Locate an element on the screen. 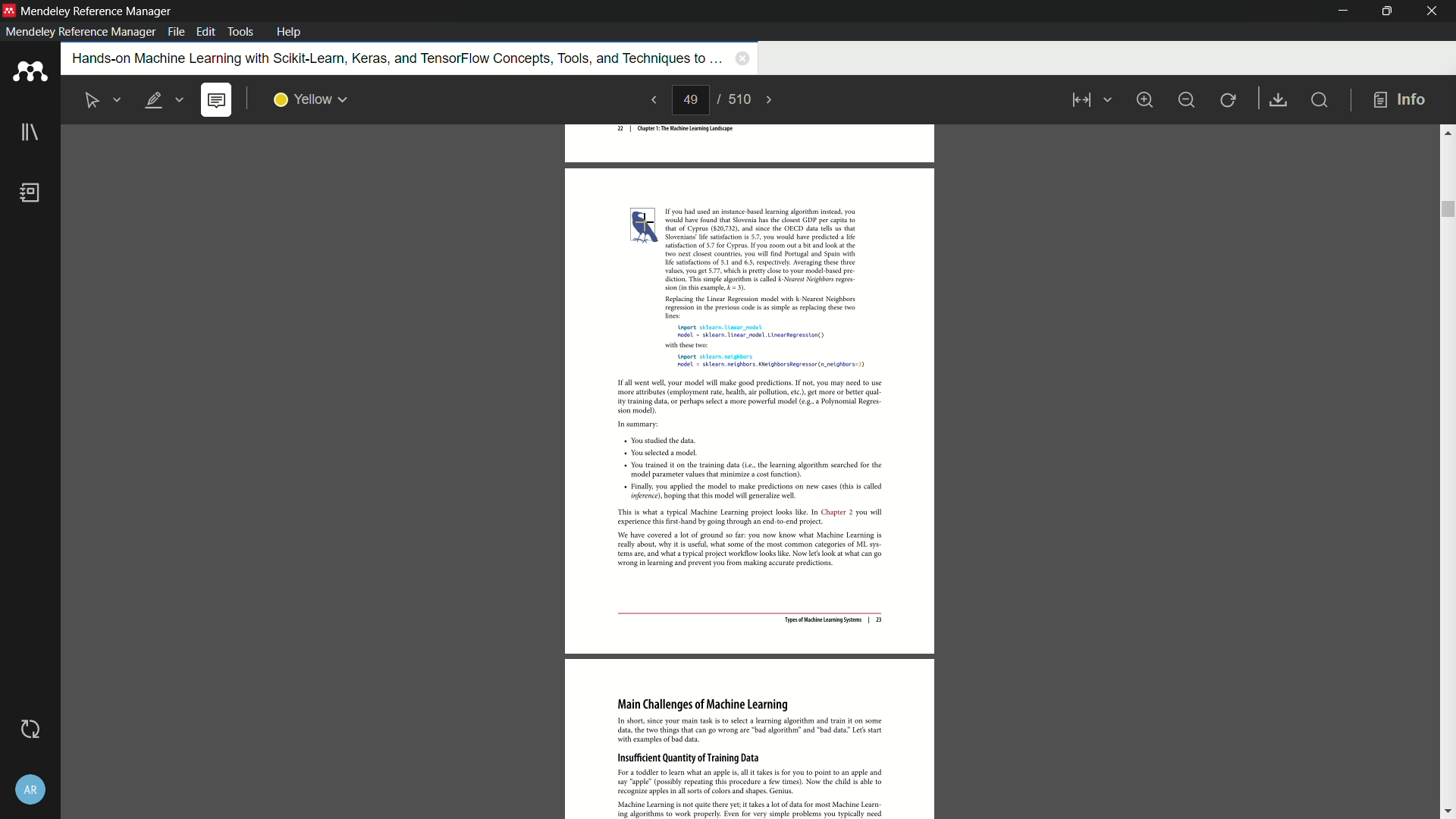 Image resolution: width=1456 pixels, height=819 pixels. info is located at coordinates (1400, 99).